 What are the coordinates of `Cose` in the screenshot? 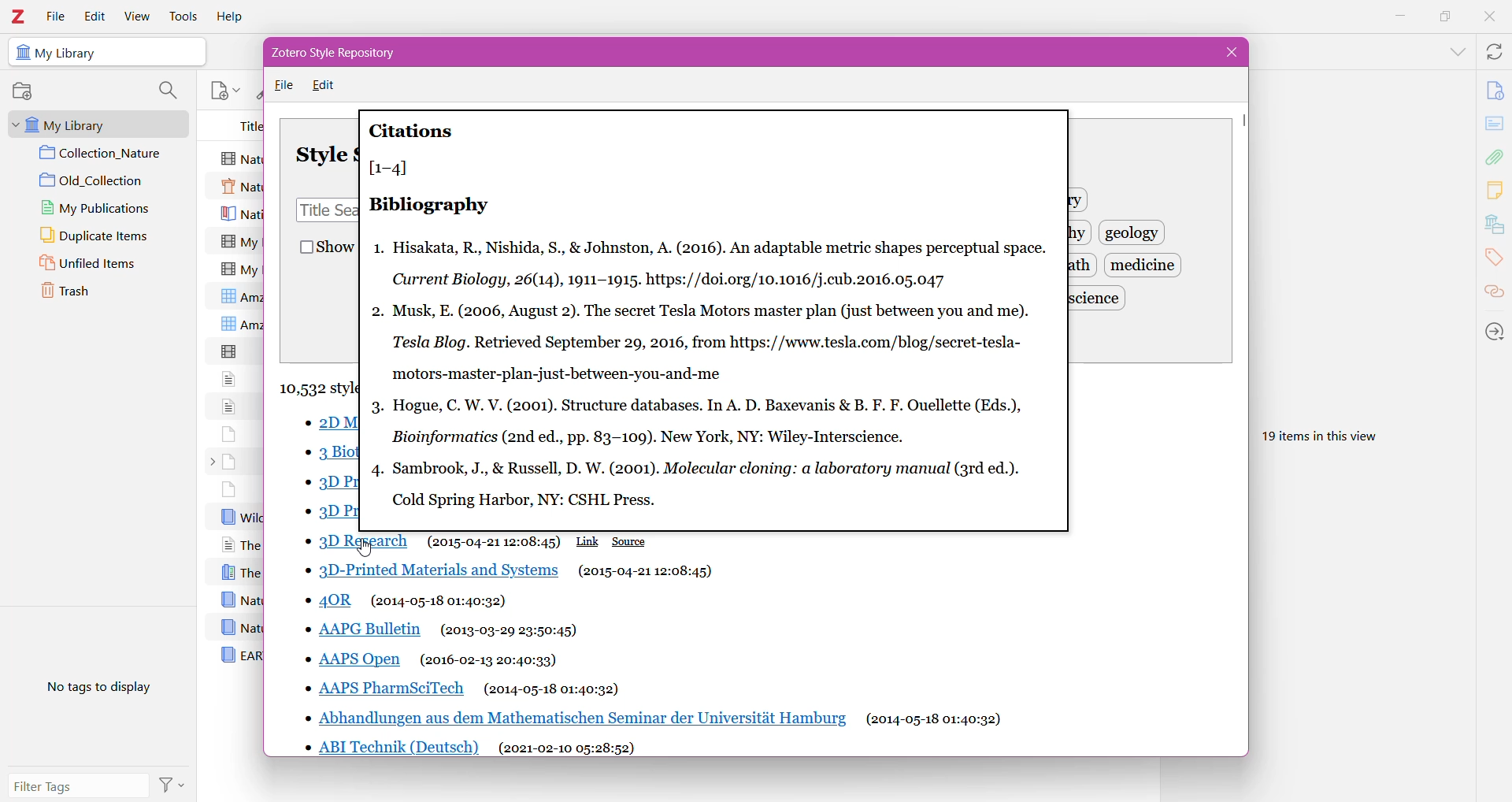 It's located at (1228, 52).